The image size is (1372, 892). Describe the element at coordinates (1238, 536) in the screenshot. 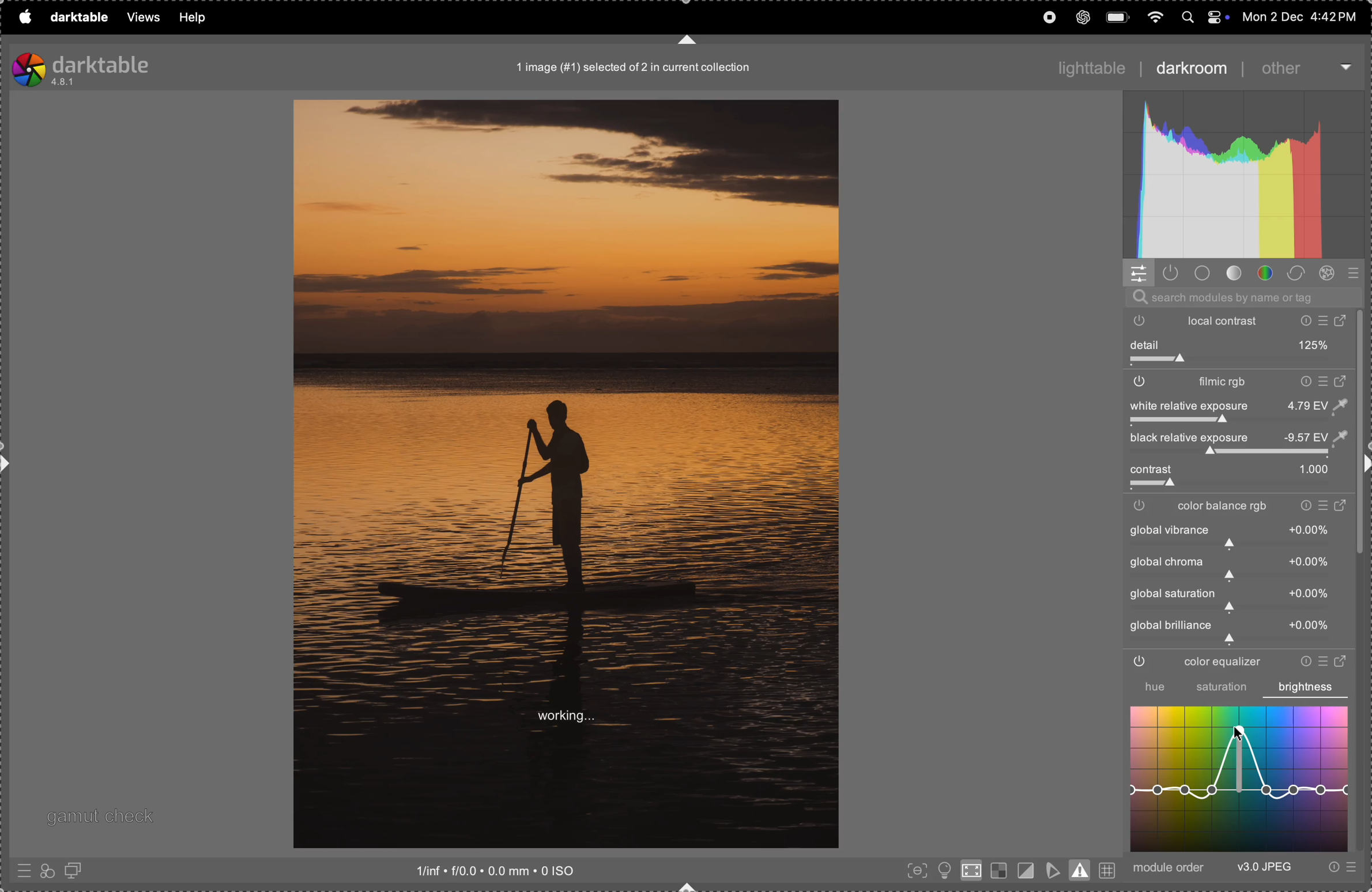

I see `global variance` at that location.